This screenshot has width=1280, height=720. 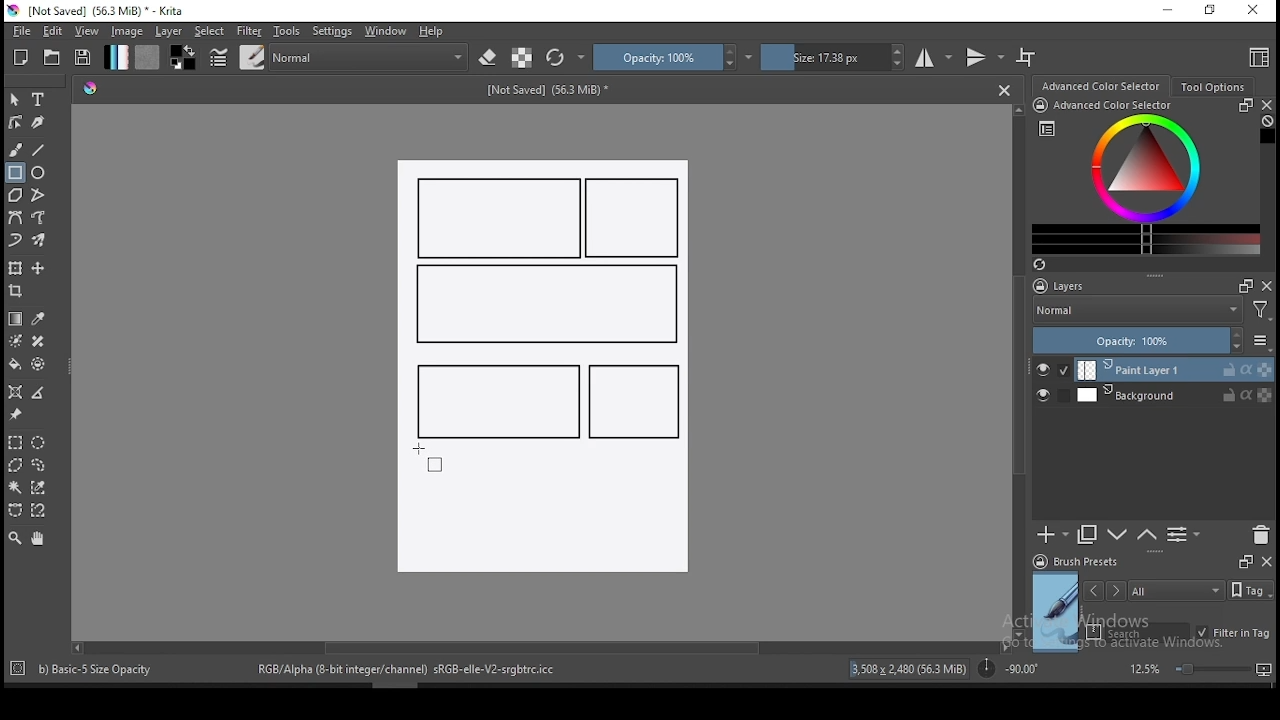 I want to click on tool options, so click(x=1214, y=87).